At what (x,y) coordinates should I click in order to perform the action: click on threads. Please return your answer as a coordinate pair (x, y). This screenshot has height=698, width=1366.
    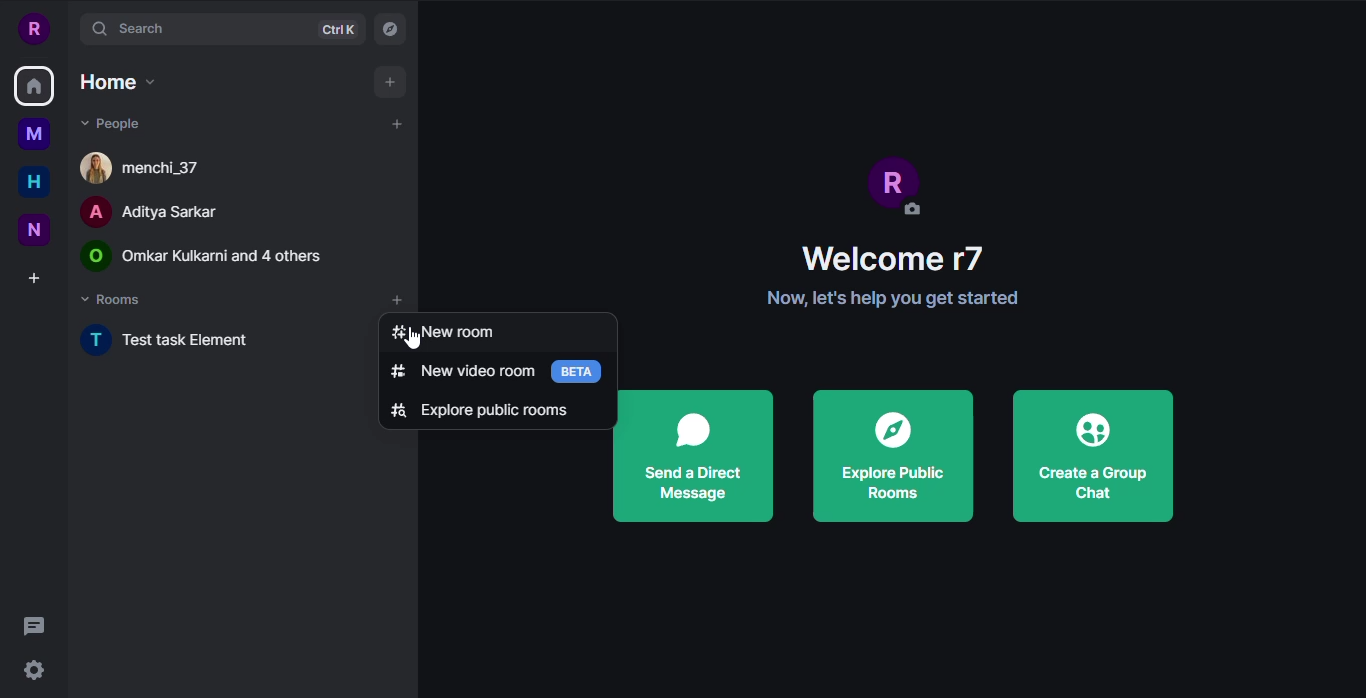
    Looking at the image, I should click on (39, 626).